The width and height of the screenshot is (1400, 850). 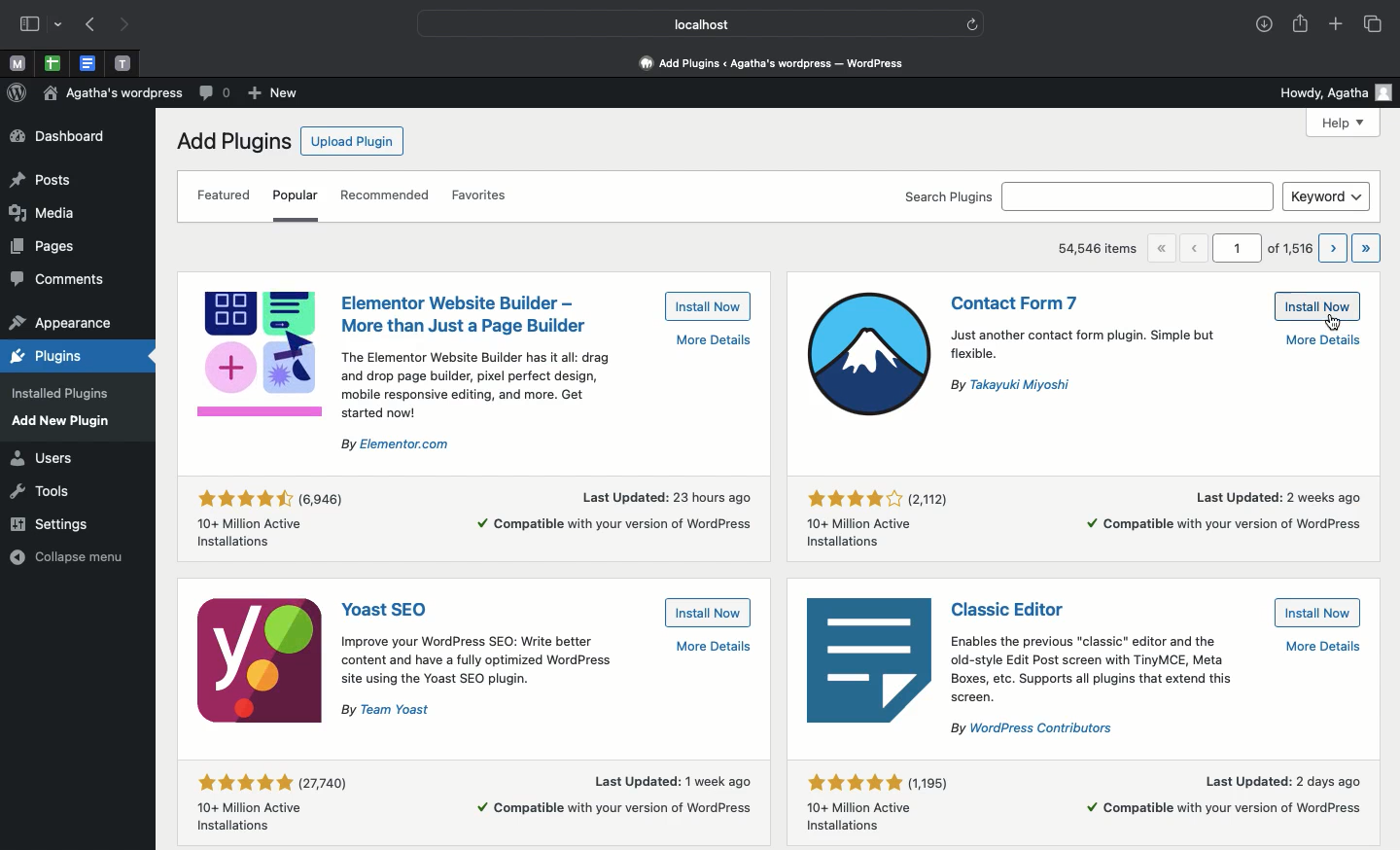 I want to click on pinned tabs, so click(x=53, y=63).